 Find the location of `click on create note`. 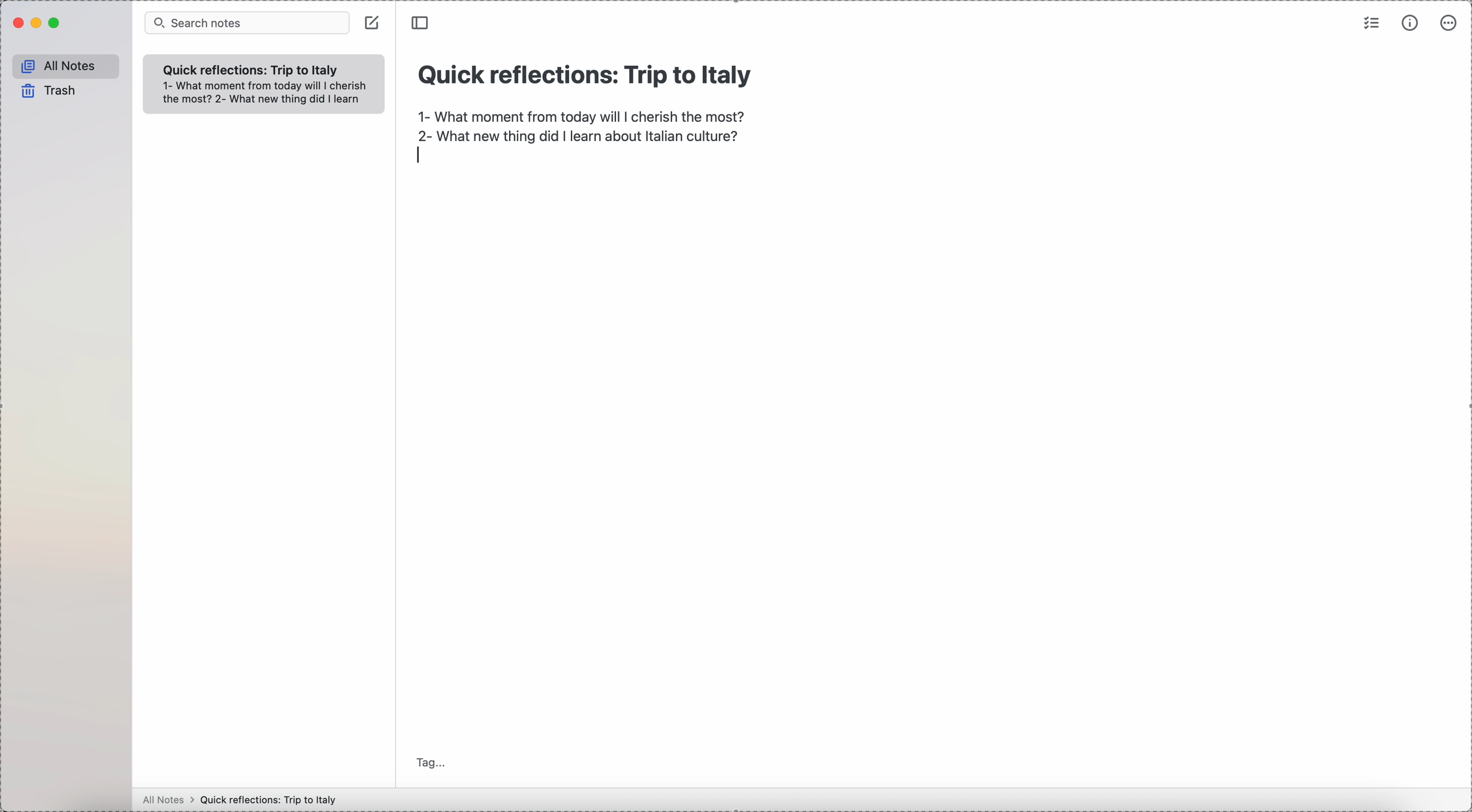

click on create note is located at coordinates (374, 23).